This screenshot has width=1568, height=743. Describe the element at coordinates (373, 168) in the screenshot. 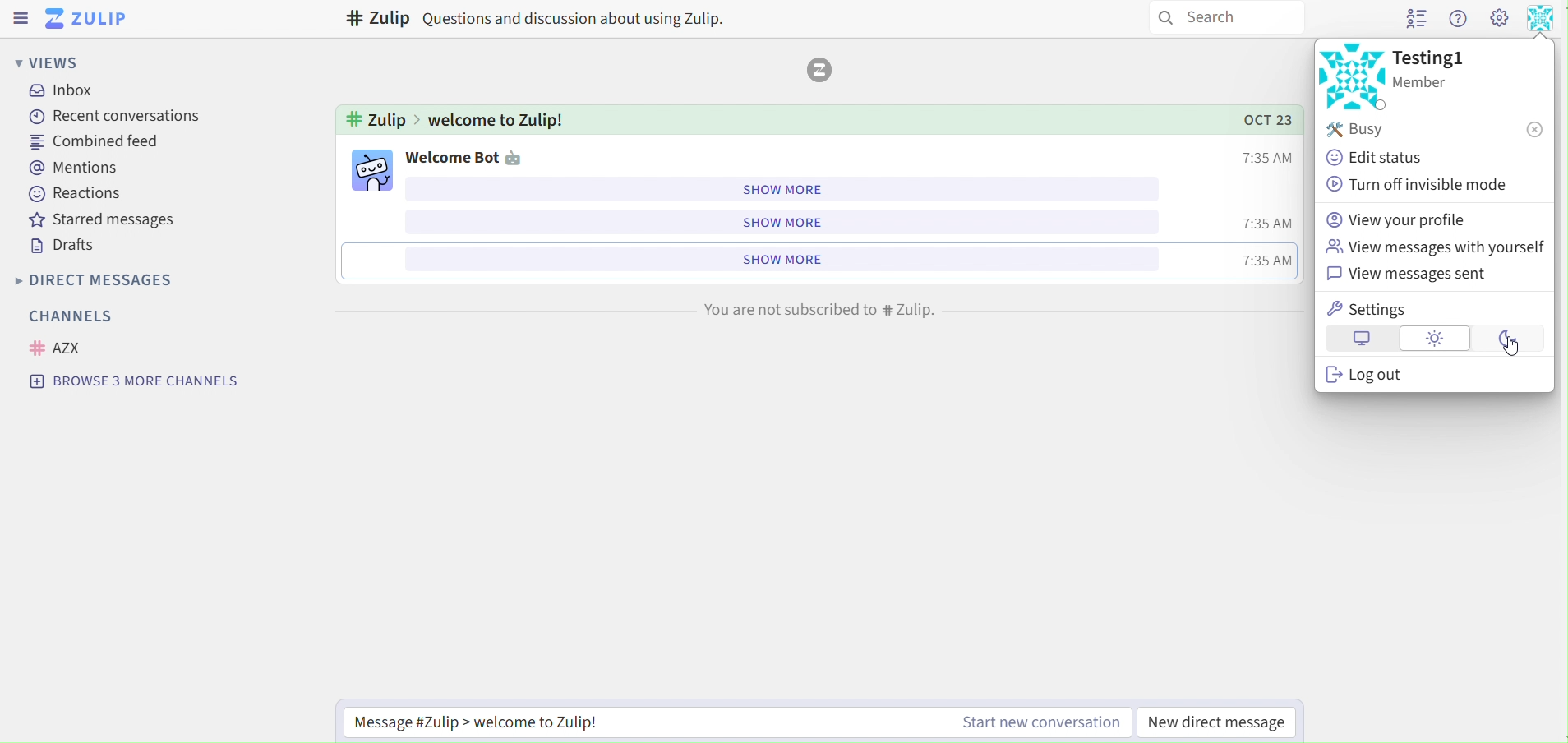

I see `image` at that location.